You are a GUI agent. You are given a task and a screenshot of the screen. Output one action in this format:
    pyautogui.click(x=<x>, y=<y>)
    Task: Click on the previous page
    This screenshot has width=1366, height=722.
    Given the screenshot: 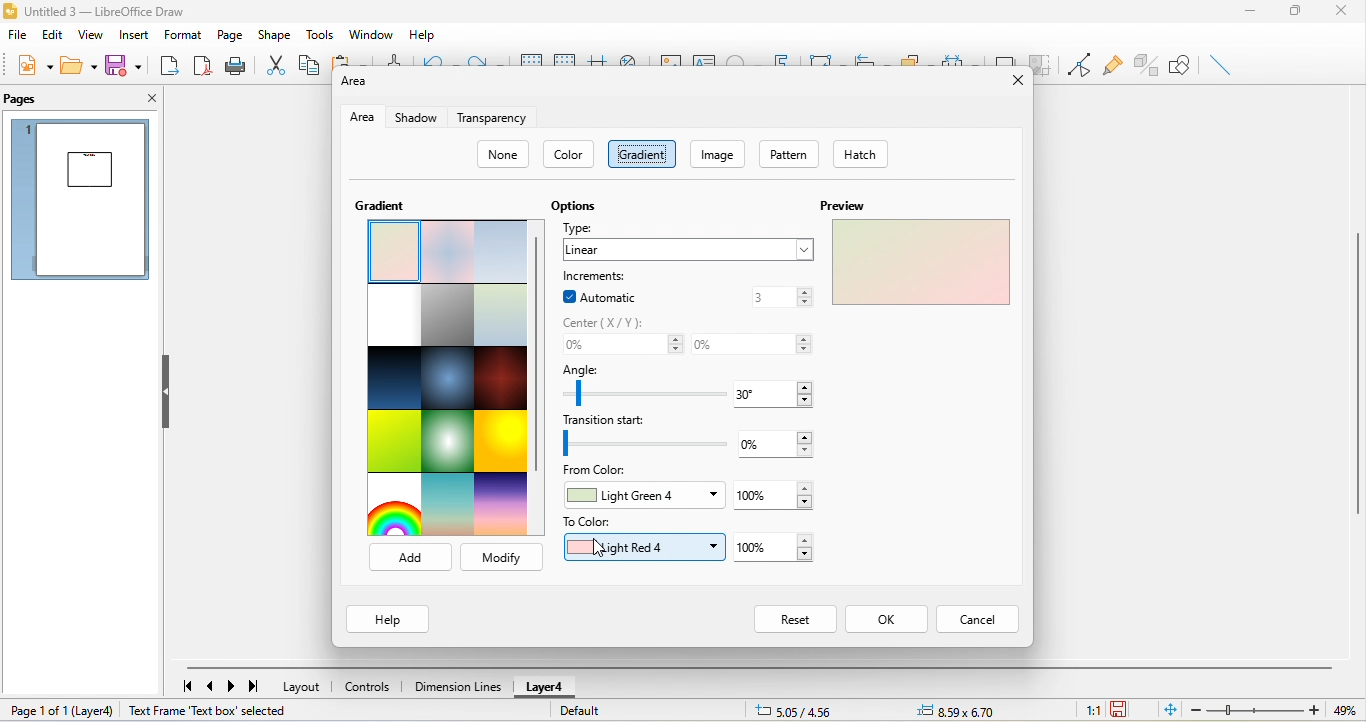 What is the action you would take?
    pyautogui.click(x=213, y=687)
    